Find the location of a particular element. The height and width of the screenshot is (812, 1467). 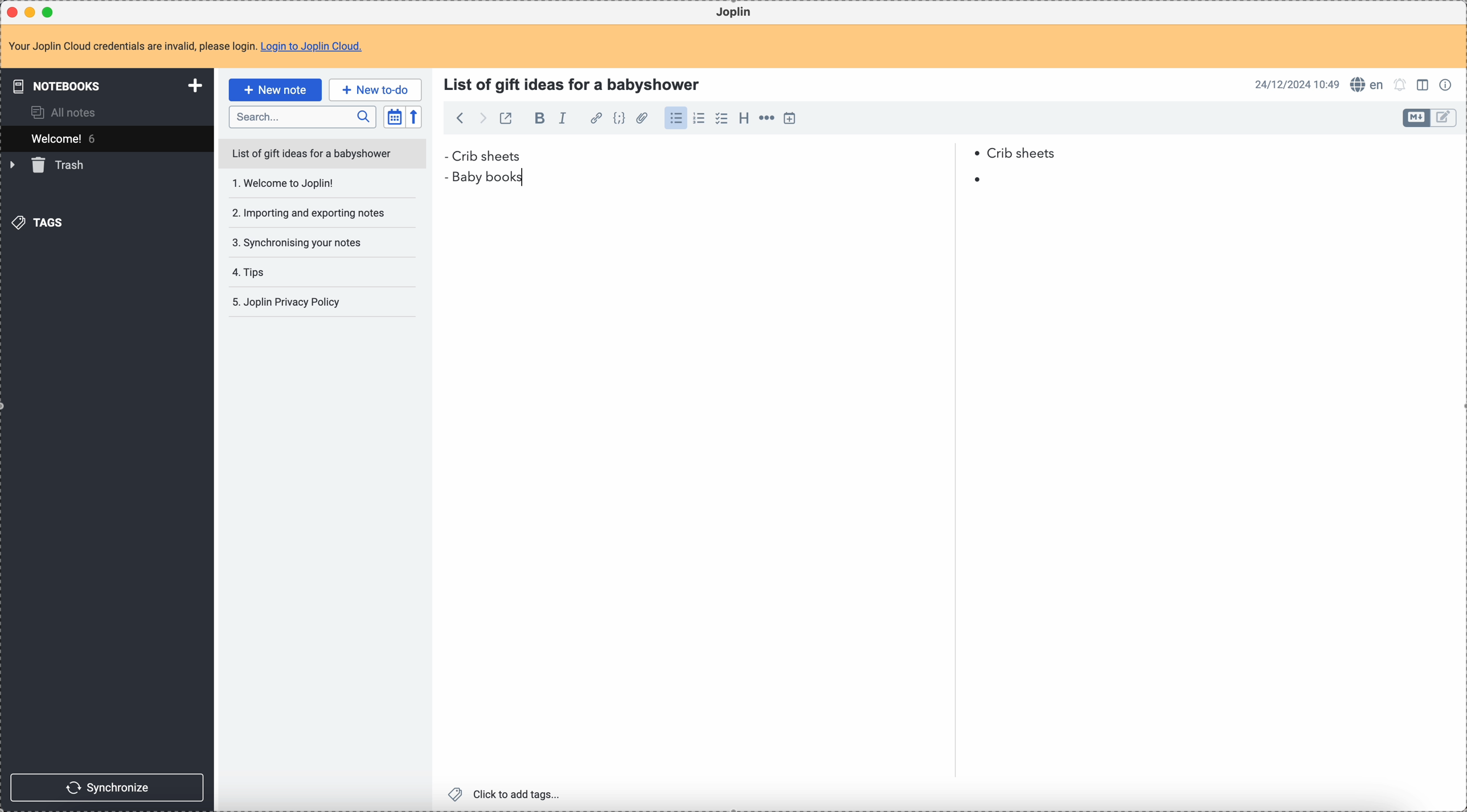

tags is located at coordinates (37, 223).